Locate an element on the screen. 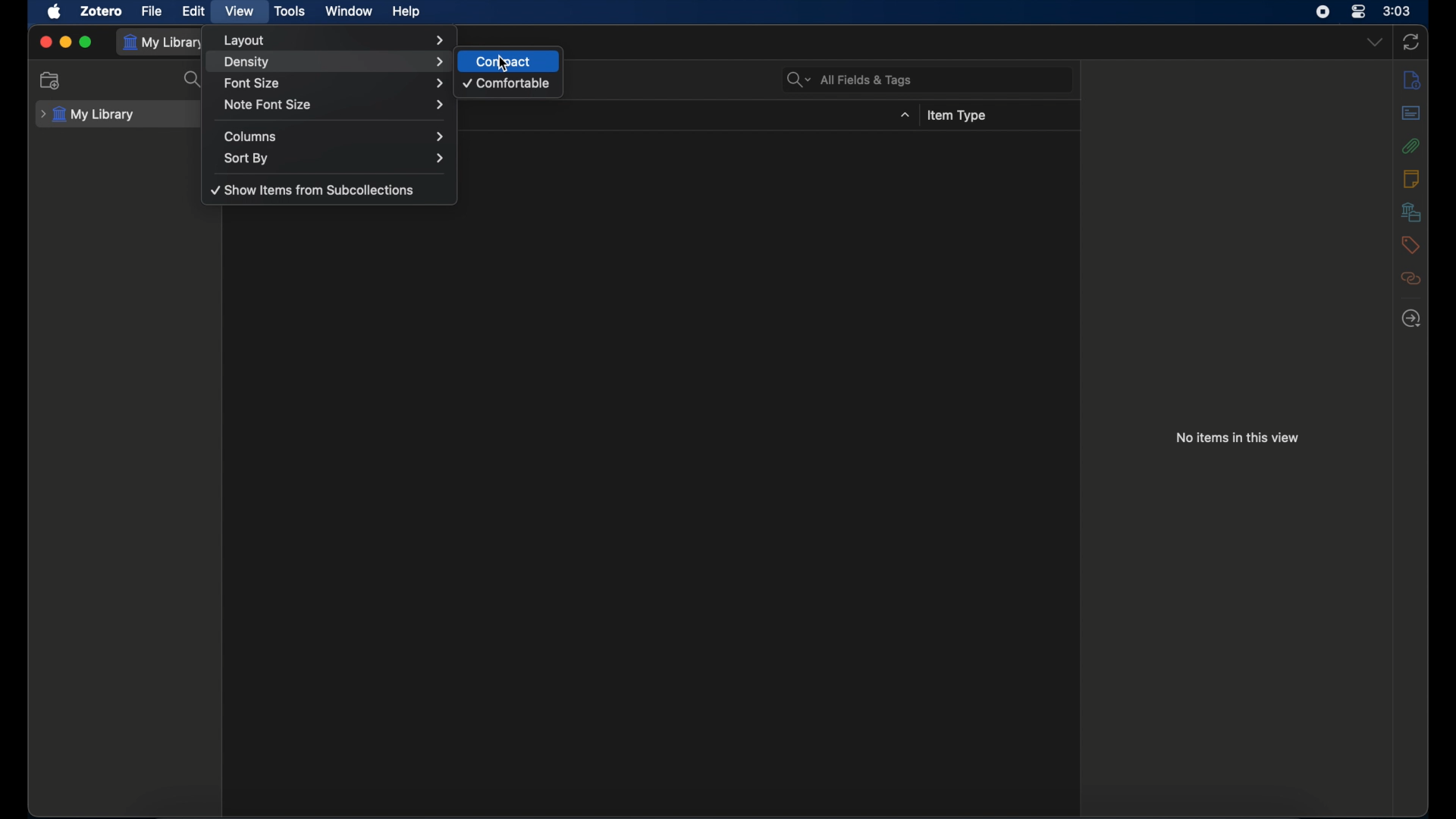 The height and width of the screenshot is (819, 1456). attachments is located at coordinates (1411, 146).